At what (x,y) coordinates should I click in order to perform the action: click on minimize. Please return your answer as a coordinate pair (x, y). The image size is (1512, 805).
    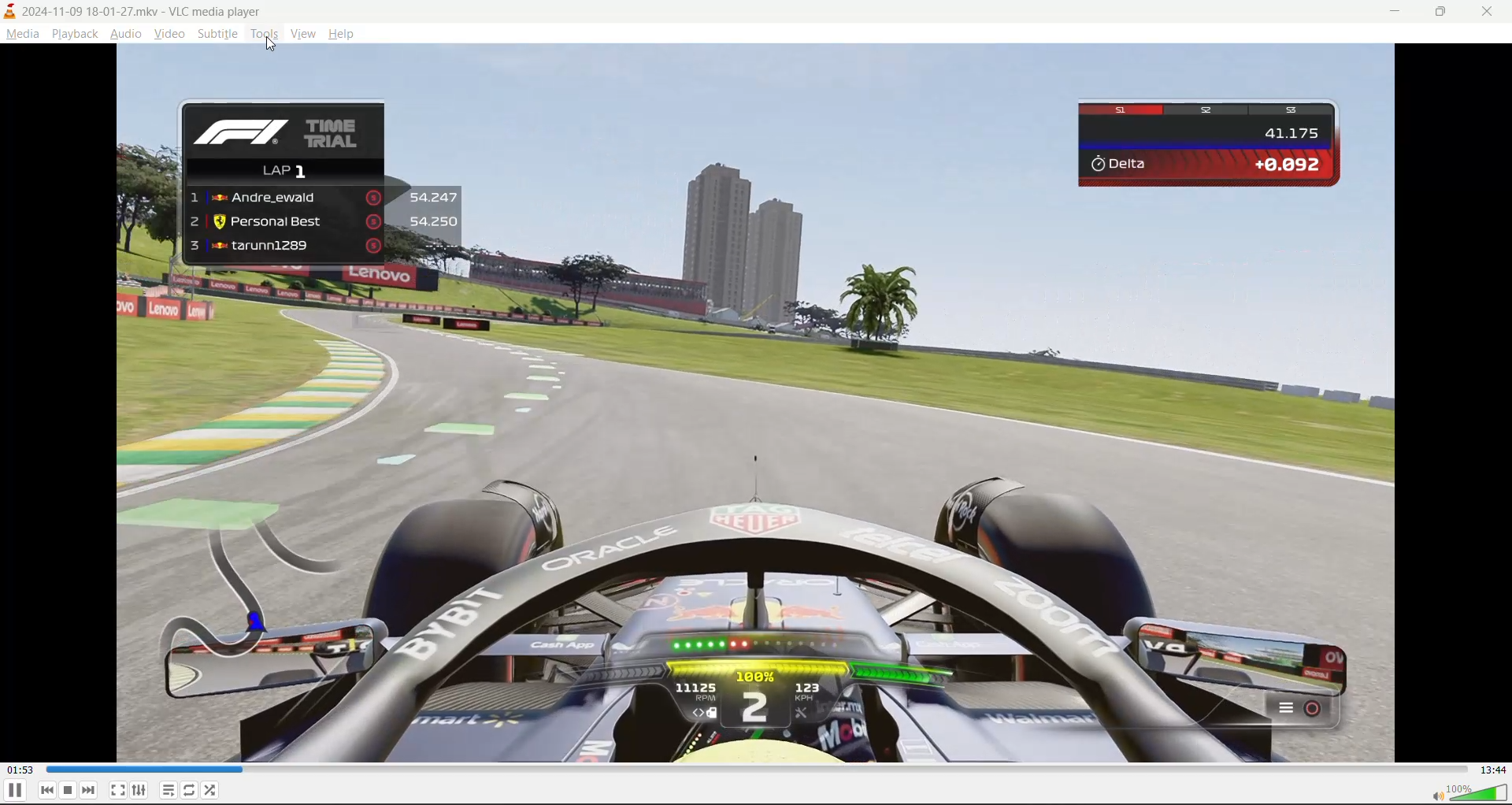
    Looking at the image, I should click on (1399, 13).